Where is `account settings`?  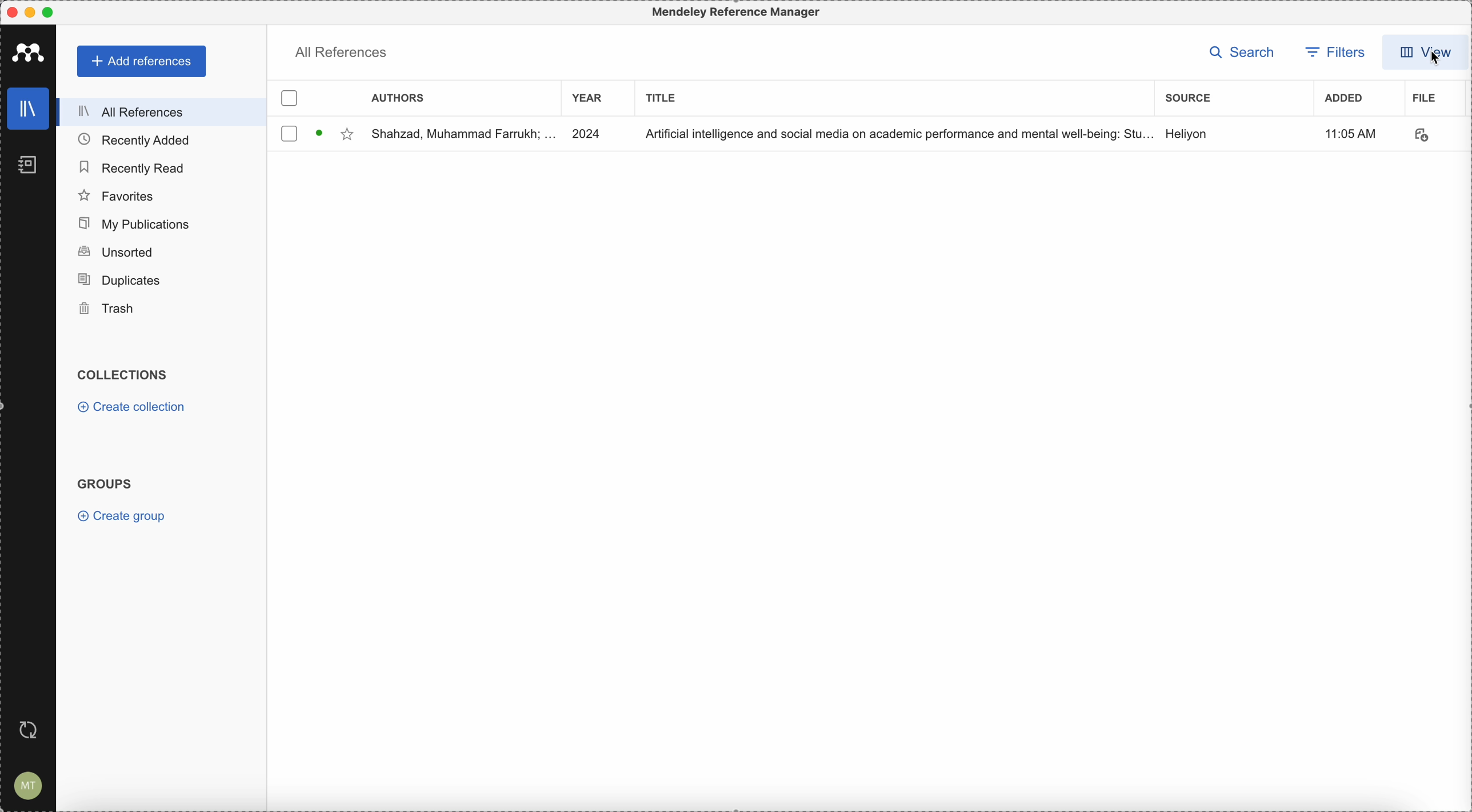 account settings is located at coordinates (30, 785).